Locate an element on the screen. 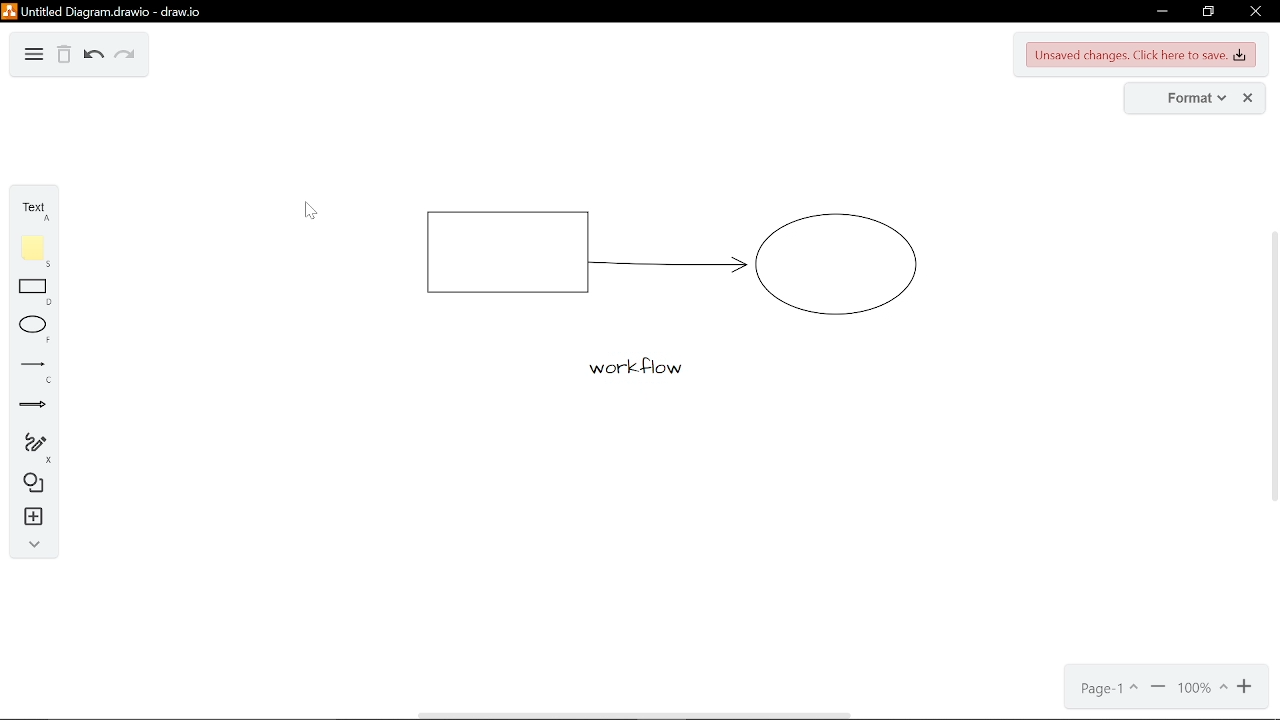 Image resolution: width=1280 pixels, height=720 pixels. insert is located at coordinates (36, 517).